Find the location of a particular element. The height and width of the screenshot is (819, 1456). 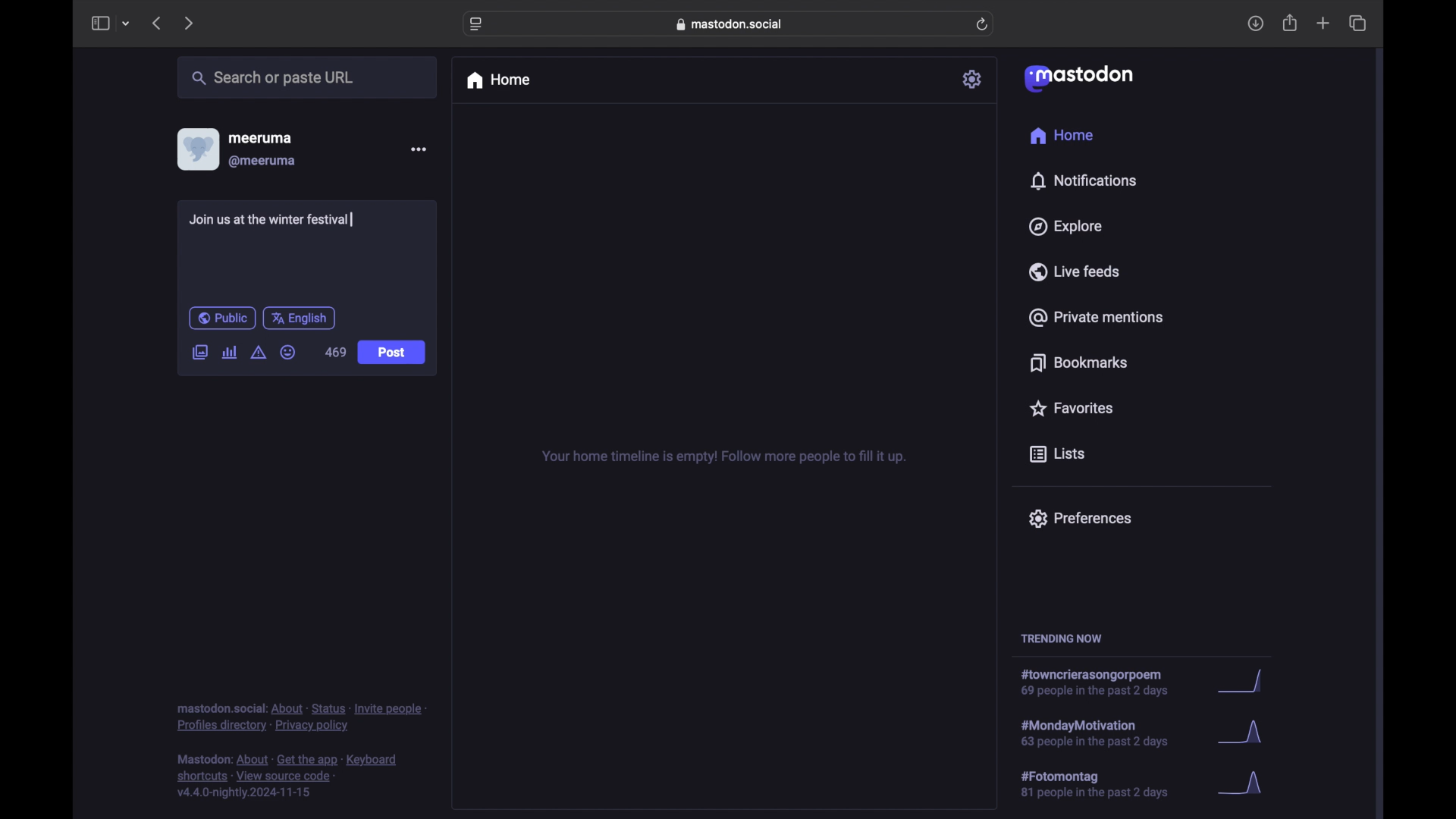

english is located at coordinates (300, 318).